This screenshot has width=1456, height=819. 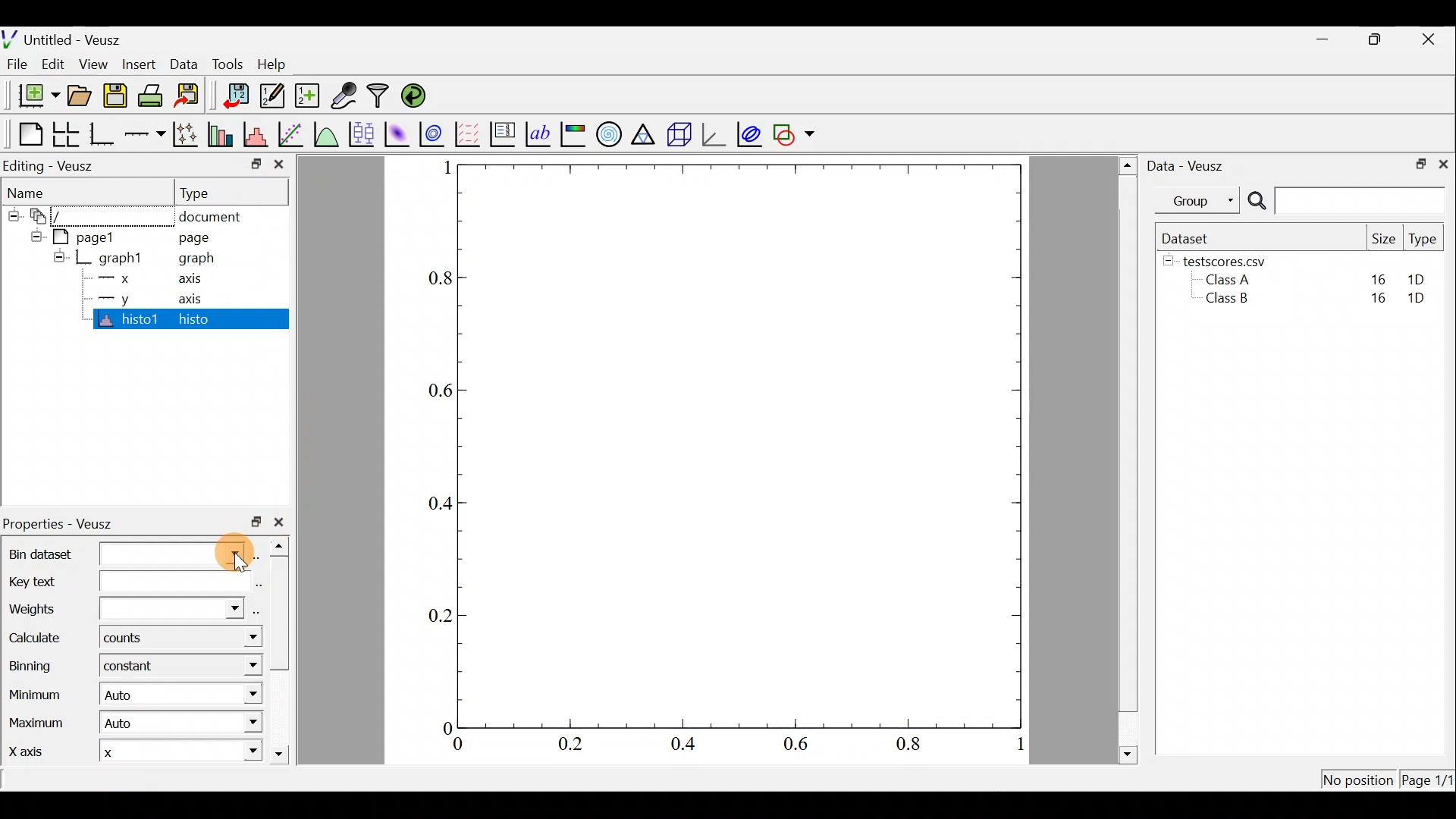 I want to click on 1D, so click(x=1418, y=279).